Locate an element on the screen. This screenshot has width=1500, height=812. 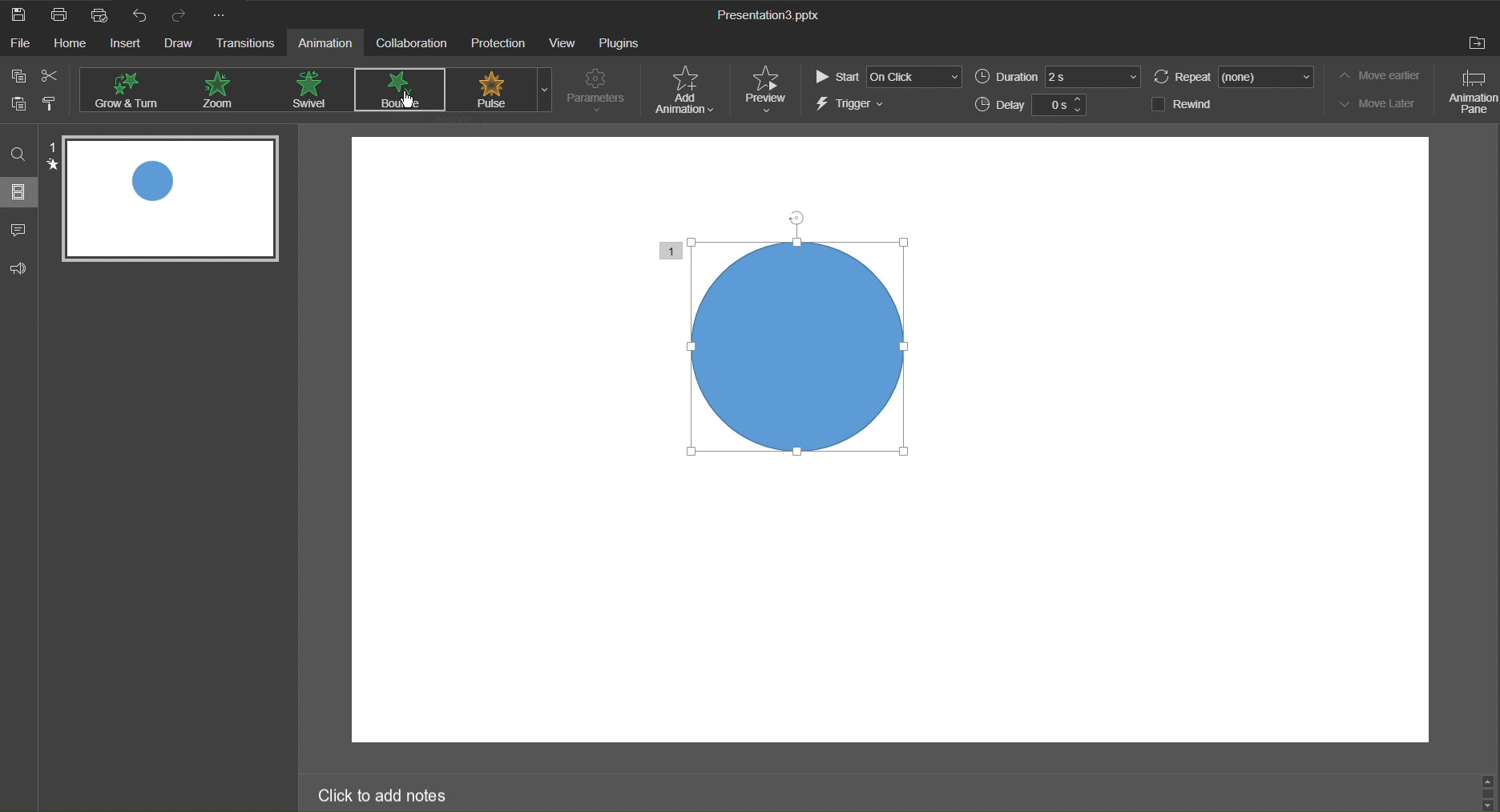
Quick Print is located at coordinates (98, 14).